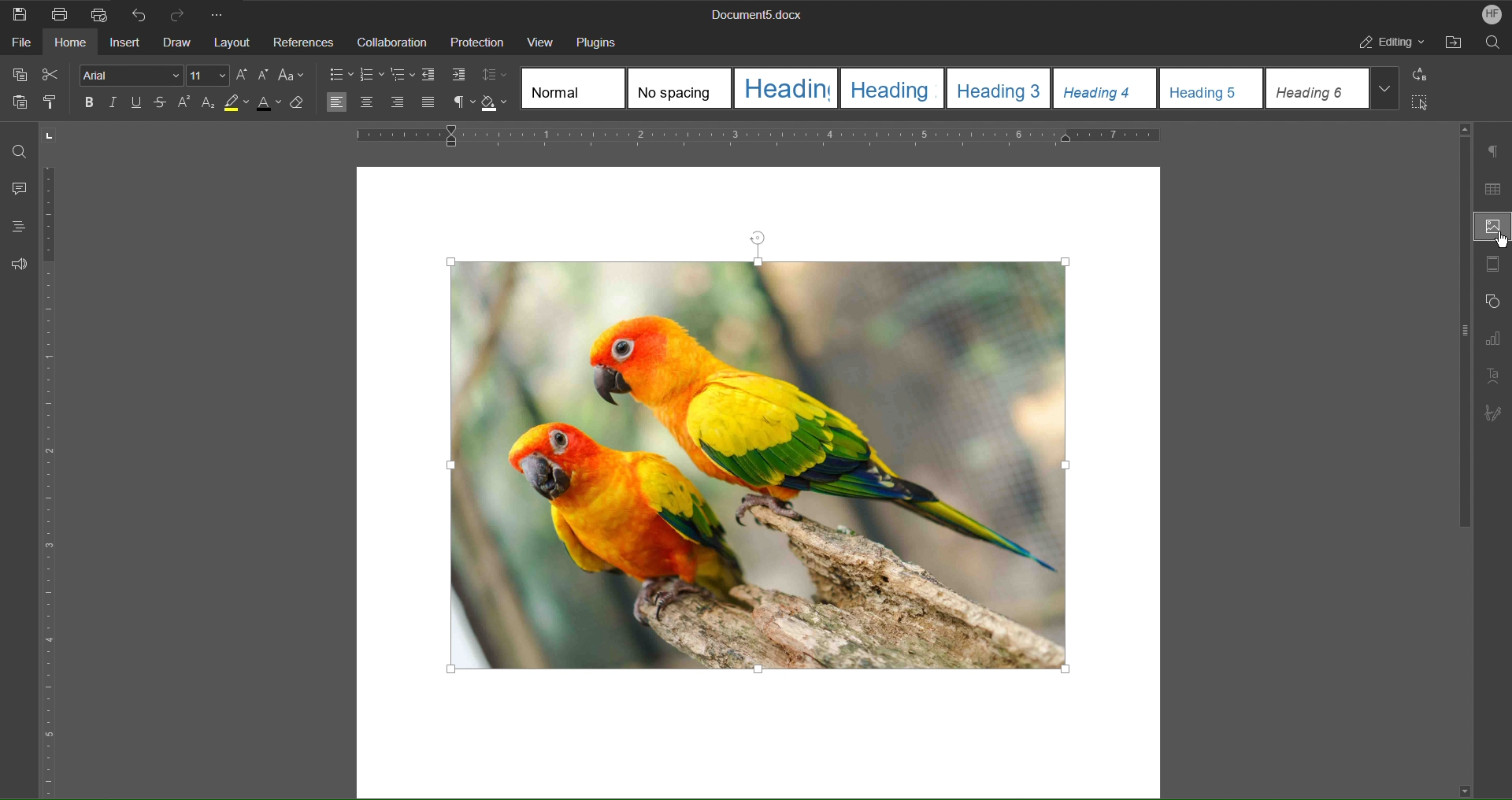 The width and height of the screenshot is (1512, 800). I want to click on pointer, so click(1498, 241).